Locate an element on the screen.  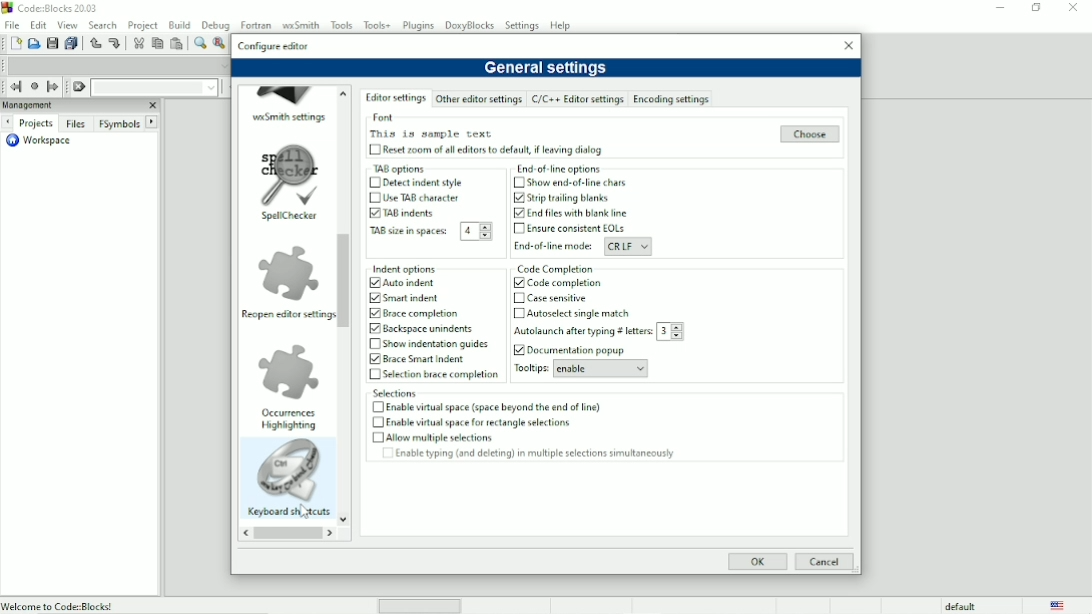
Brace Smart indent is located at coordinates (425, 359).